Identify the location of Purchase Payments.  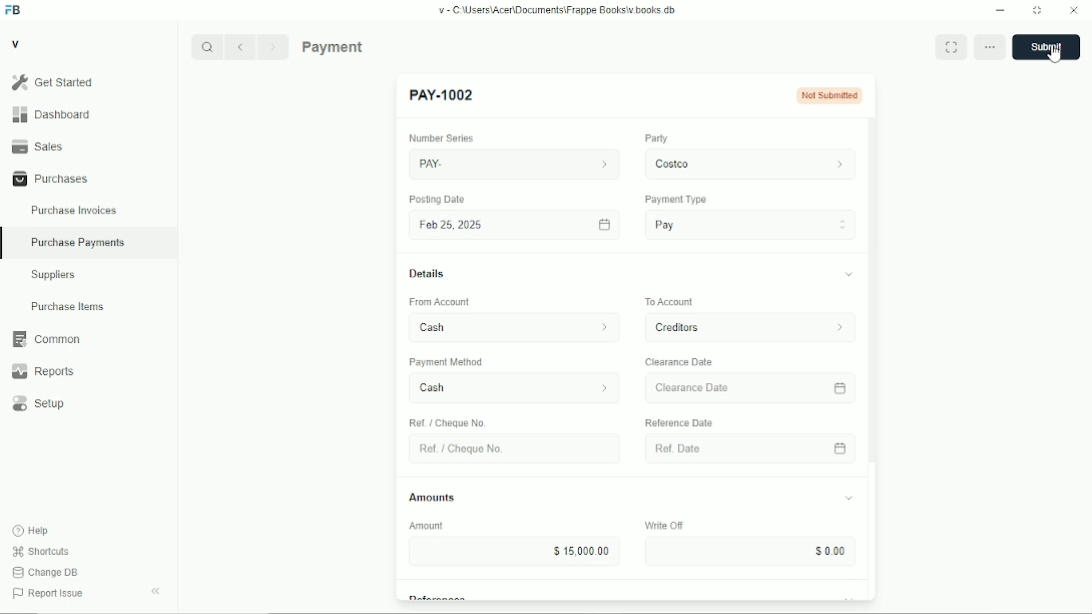
(372, 46).